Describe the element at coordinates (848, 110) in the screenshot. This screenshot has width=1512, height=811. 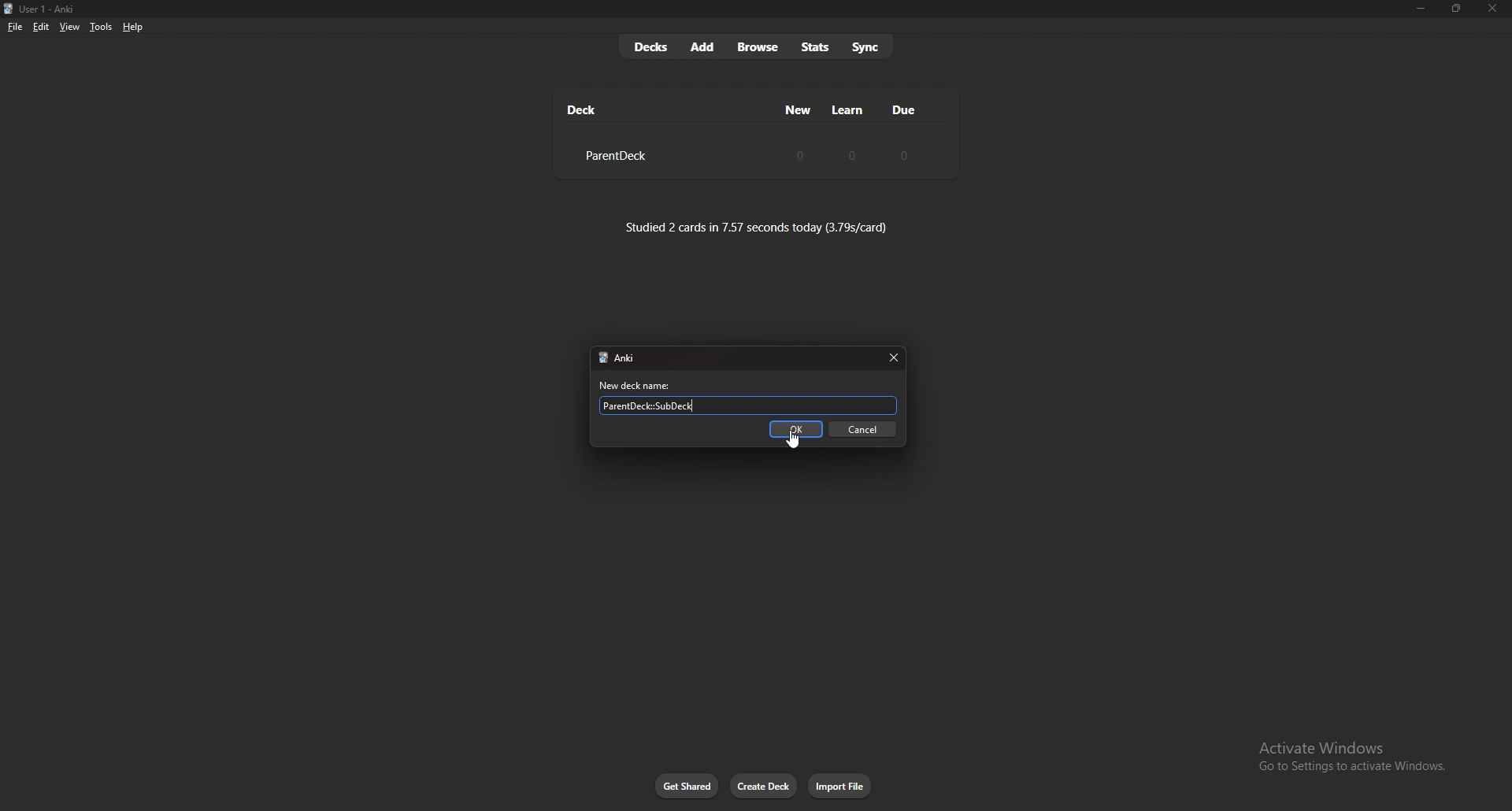
I see `learn` at that location.